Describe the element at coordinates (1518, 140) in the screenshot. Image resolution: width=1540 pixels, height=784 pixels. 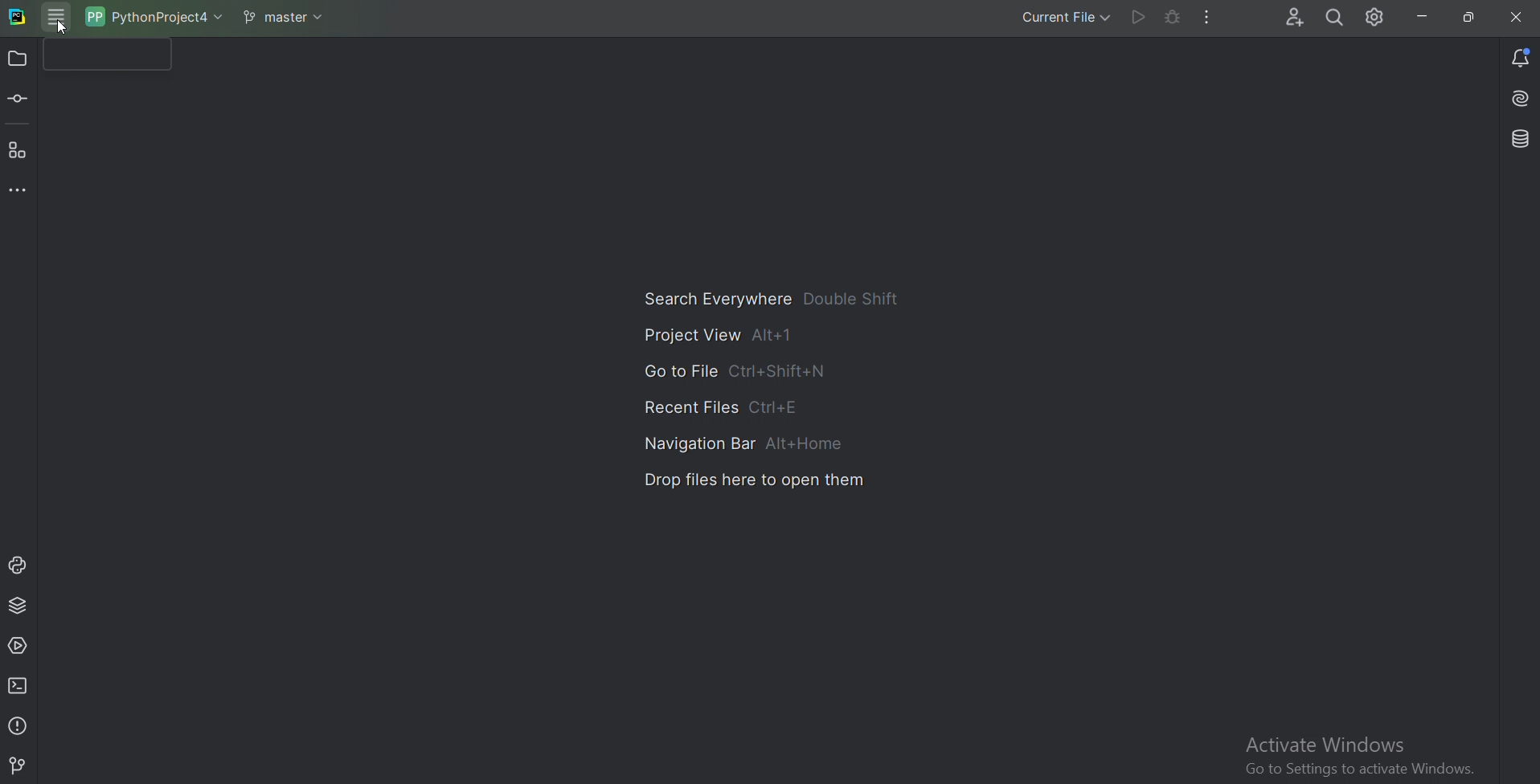
I see `Database` at that location.